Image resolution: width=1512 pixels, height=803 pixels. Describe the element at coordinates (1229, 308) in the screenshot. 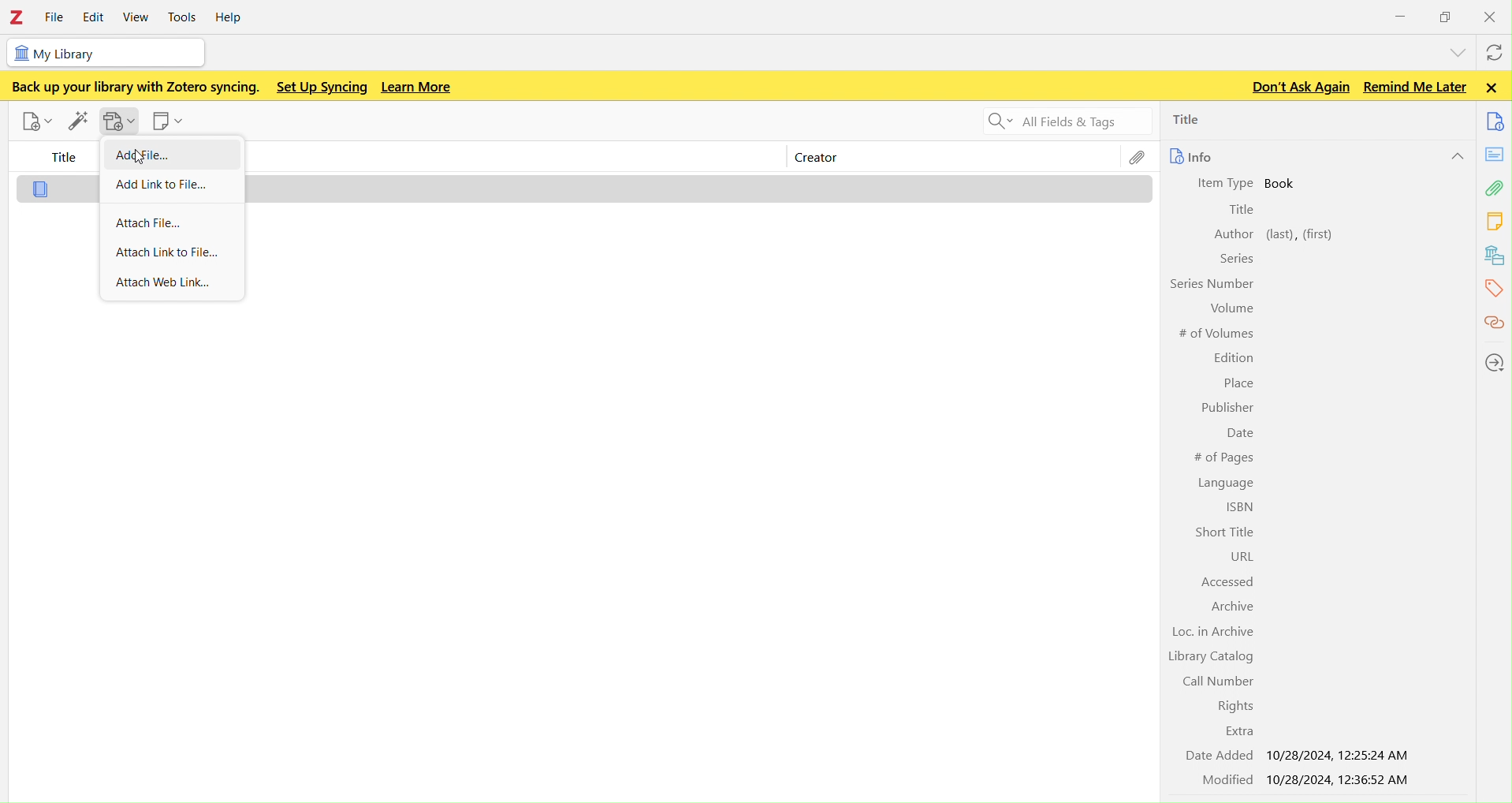

I see `Volume` at that location.